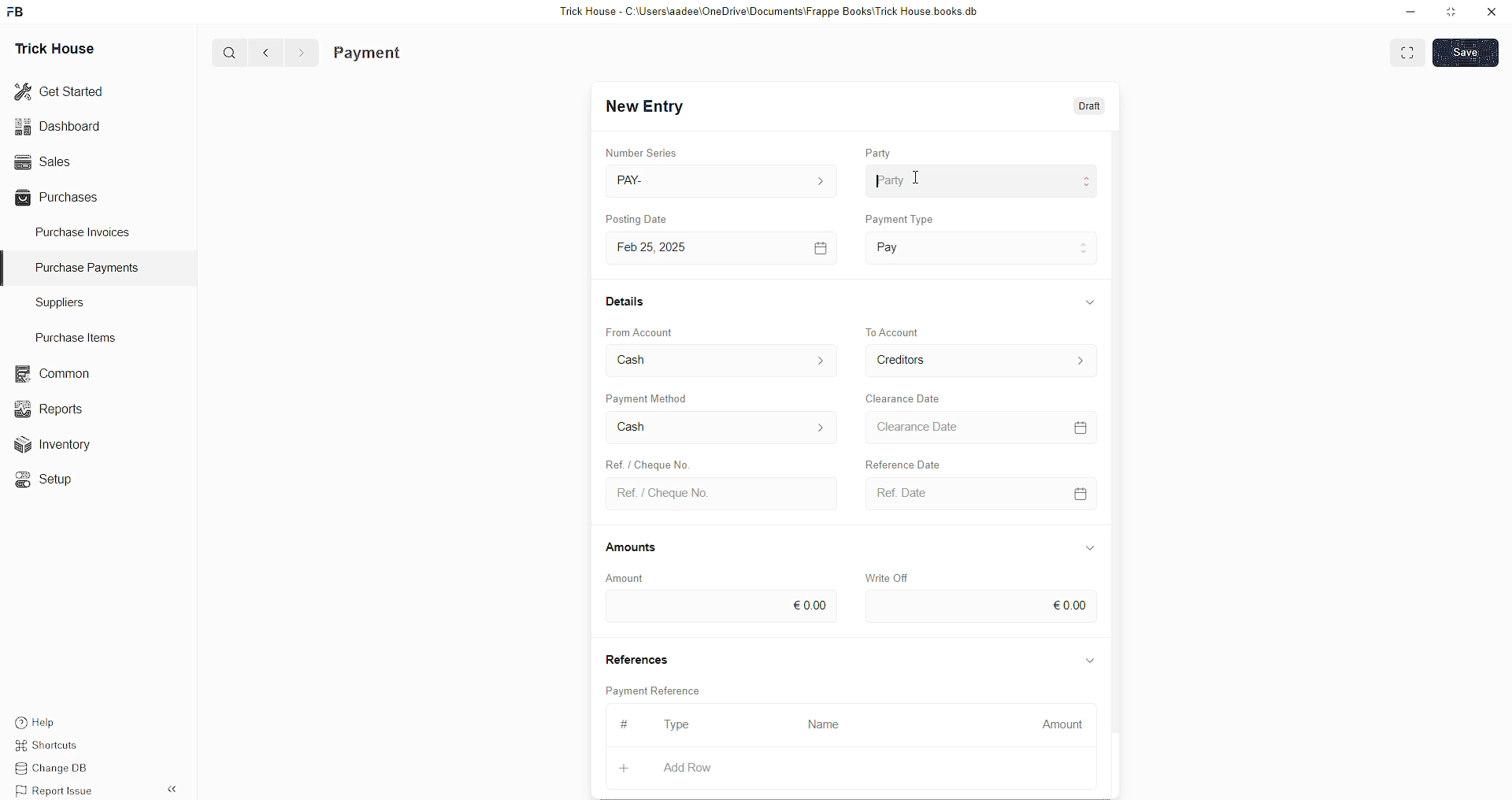 The image size is (1512, 800). Describe the element at coordinates (85, 231) in the screenshot. I see `Purchase Invoices` at that location.